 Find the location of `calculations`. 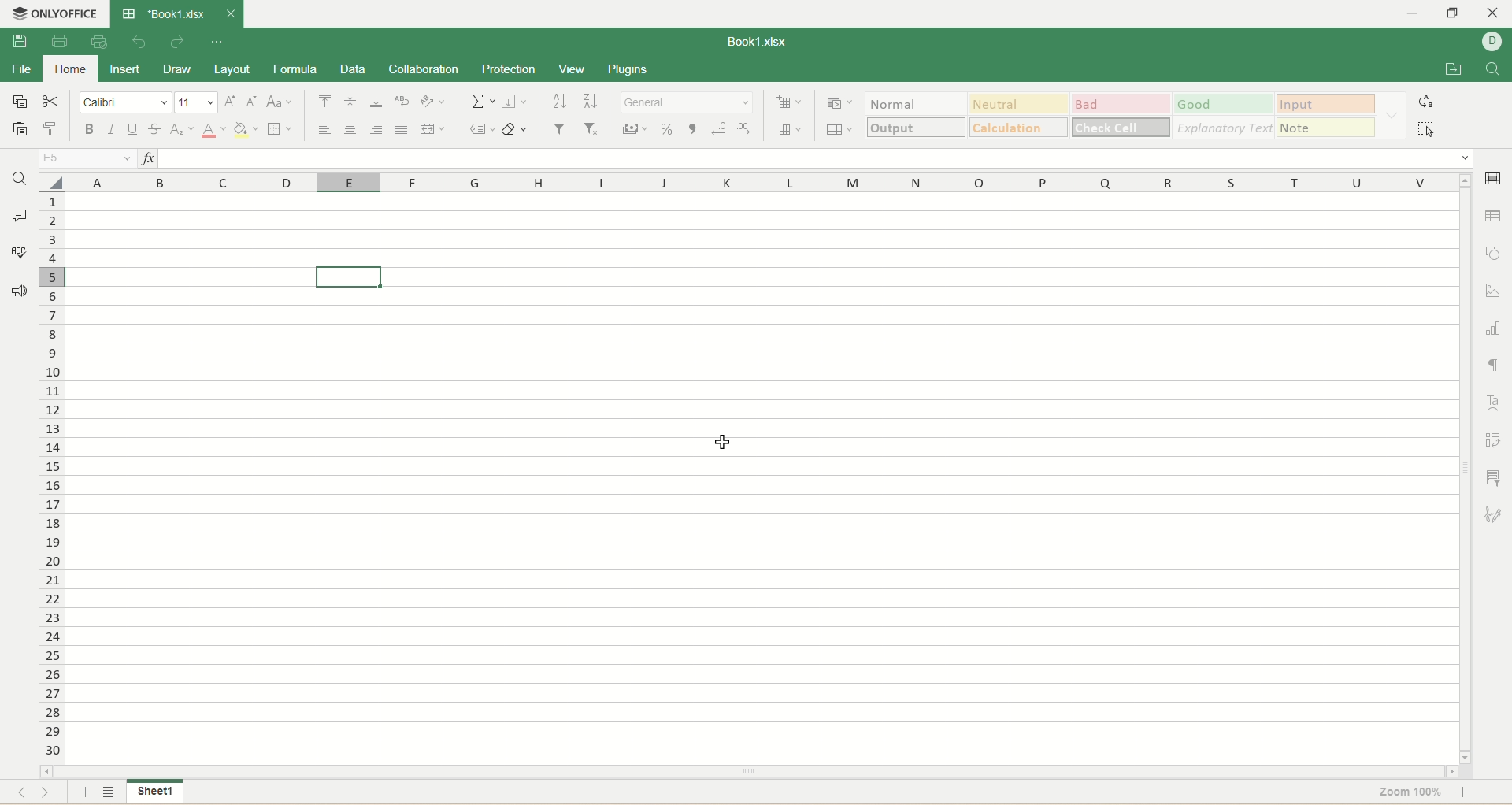

calculations is located at coordinates (1020, 127).